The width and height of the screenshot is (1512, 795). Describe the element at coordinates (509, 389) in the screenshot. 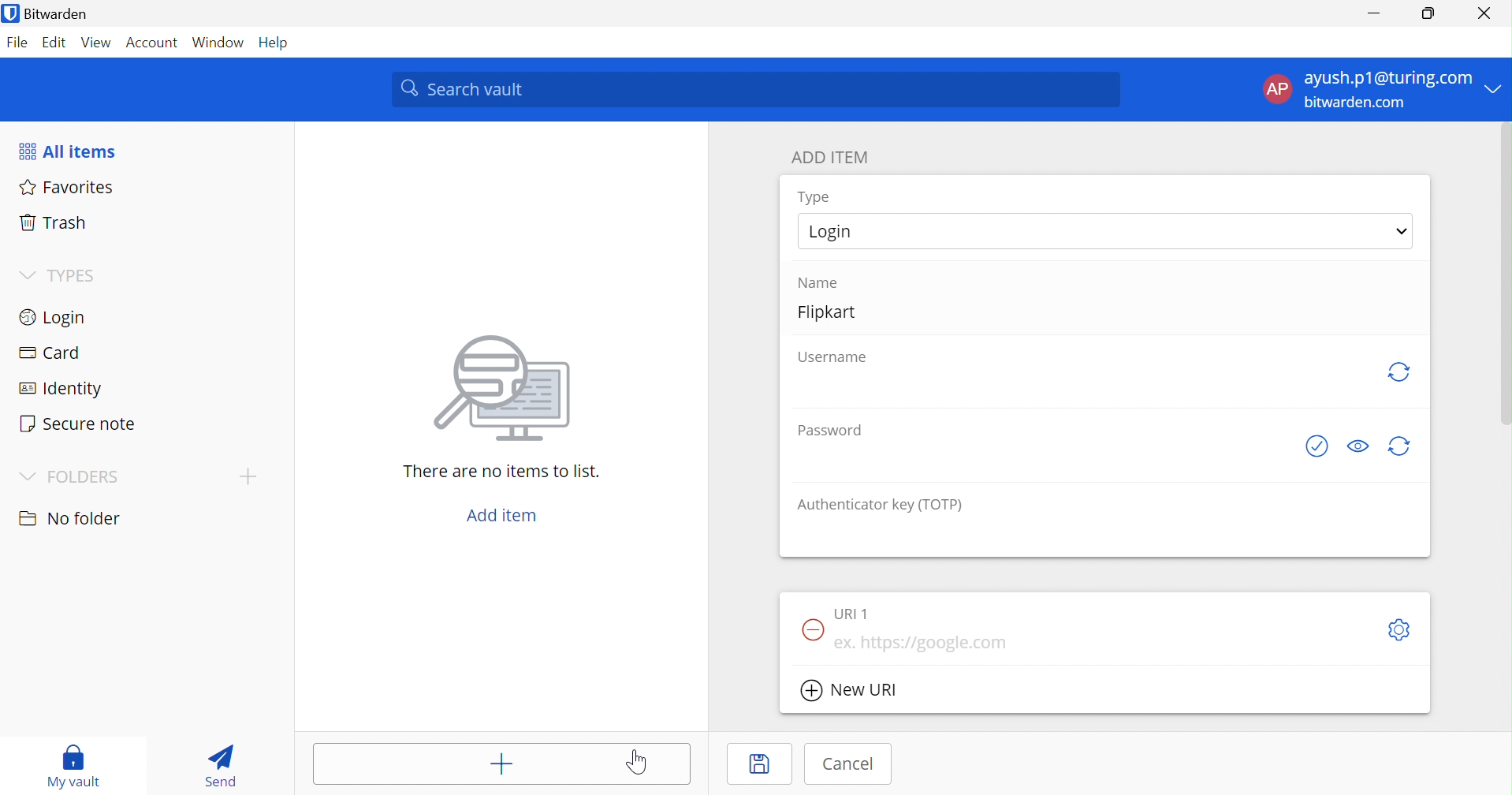

I see `image` at that location.